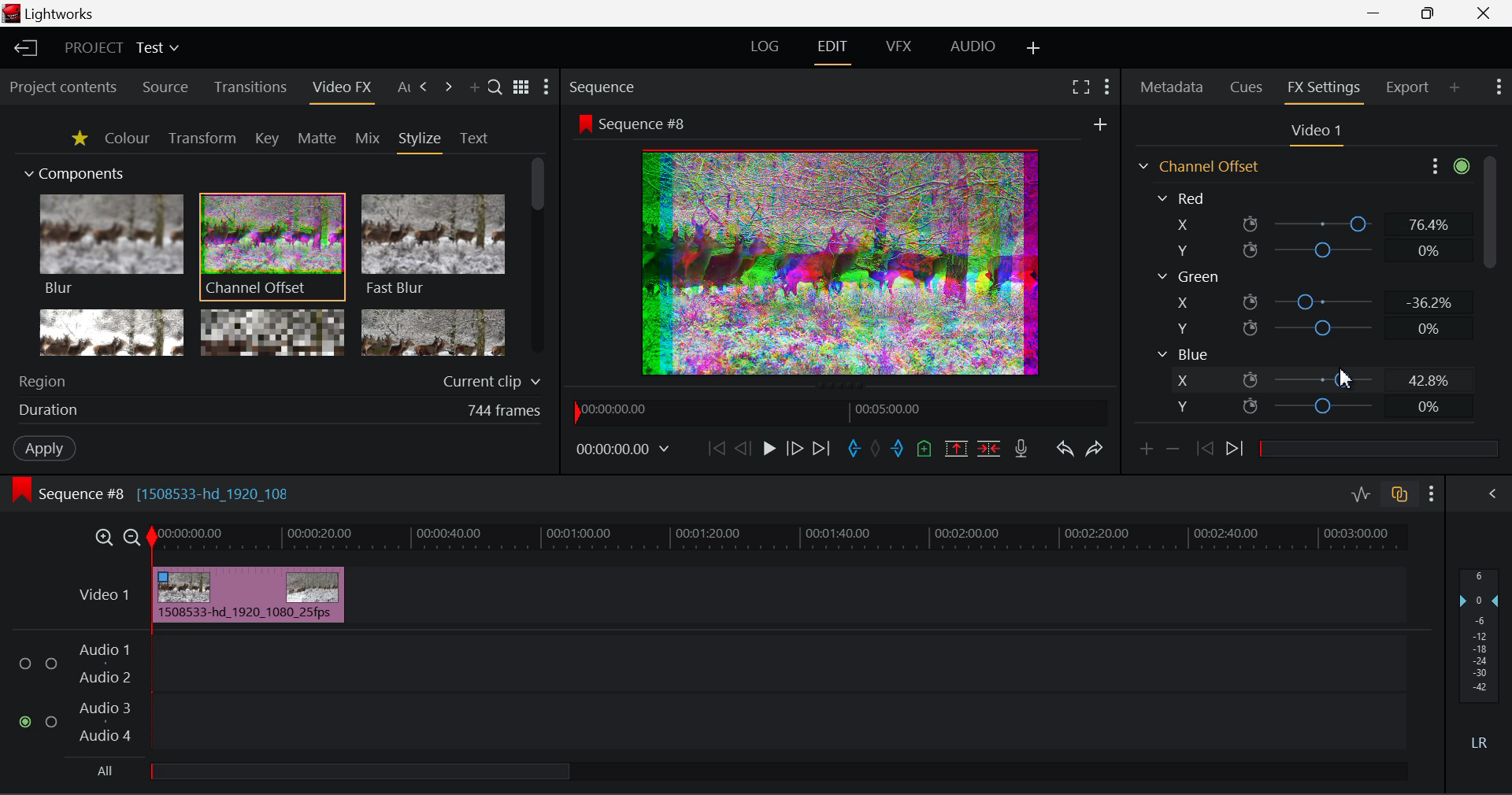  I want to click on Remove All Marks, so click(875, 449).